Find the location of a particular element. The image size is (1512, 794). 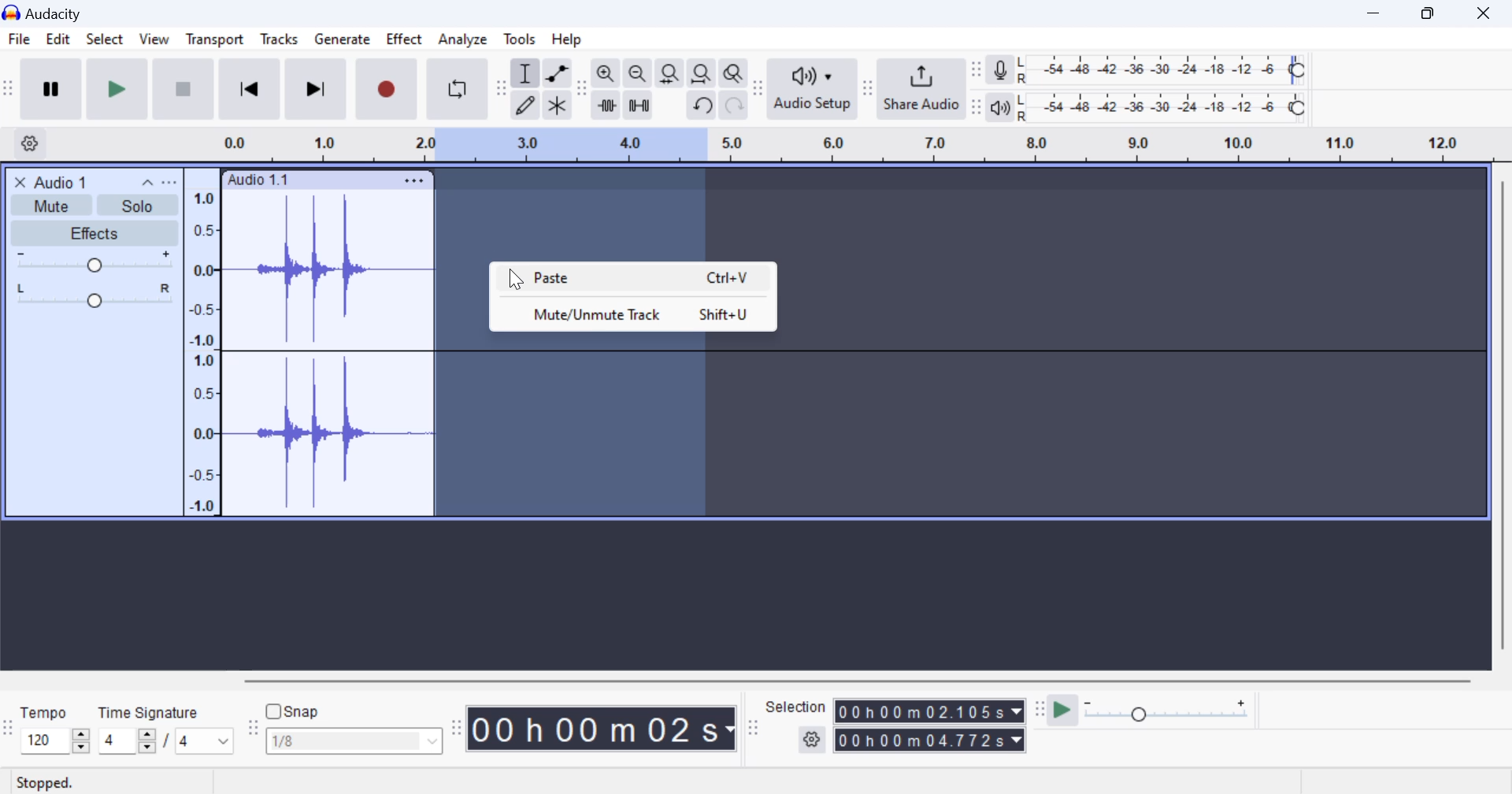

Restore Down is located at coordinates (1376, 13).